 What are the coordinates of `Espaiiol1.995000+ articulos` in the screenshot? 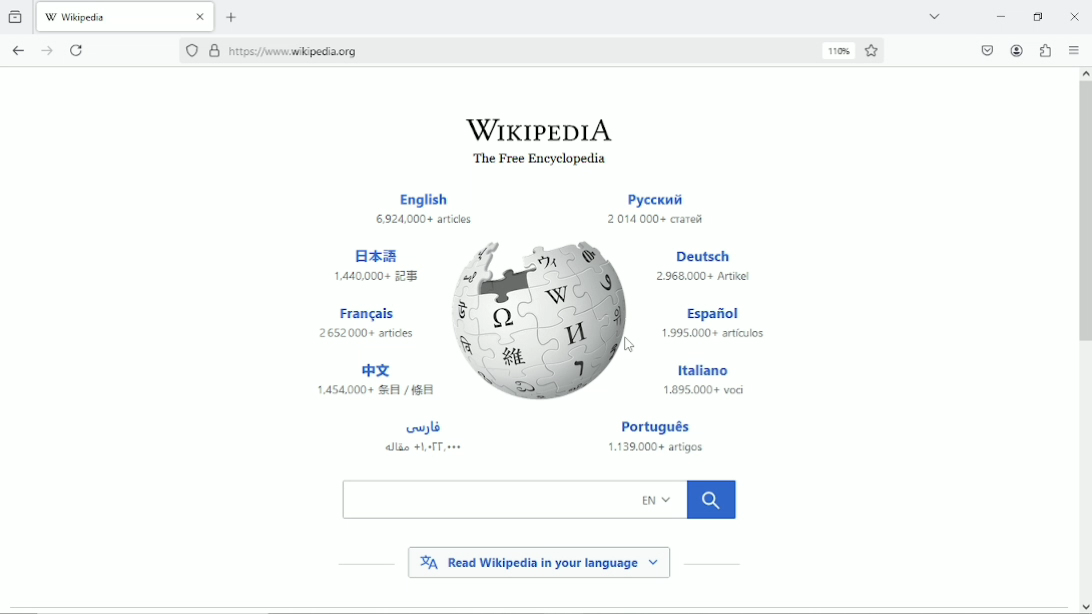 It's located at (713, 324).